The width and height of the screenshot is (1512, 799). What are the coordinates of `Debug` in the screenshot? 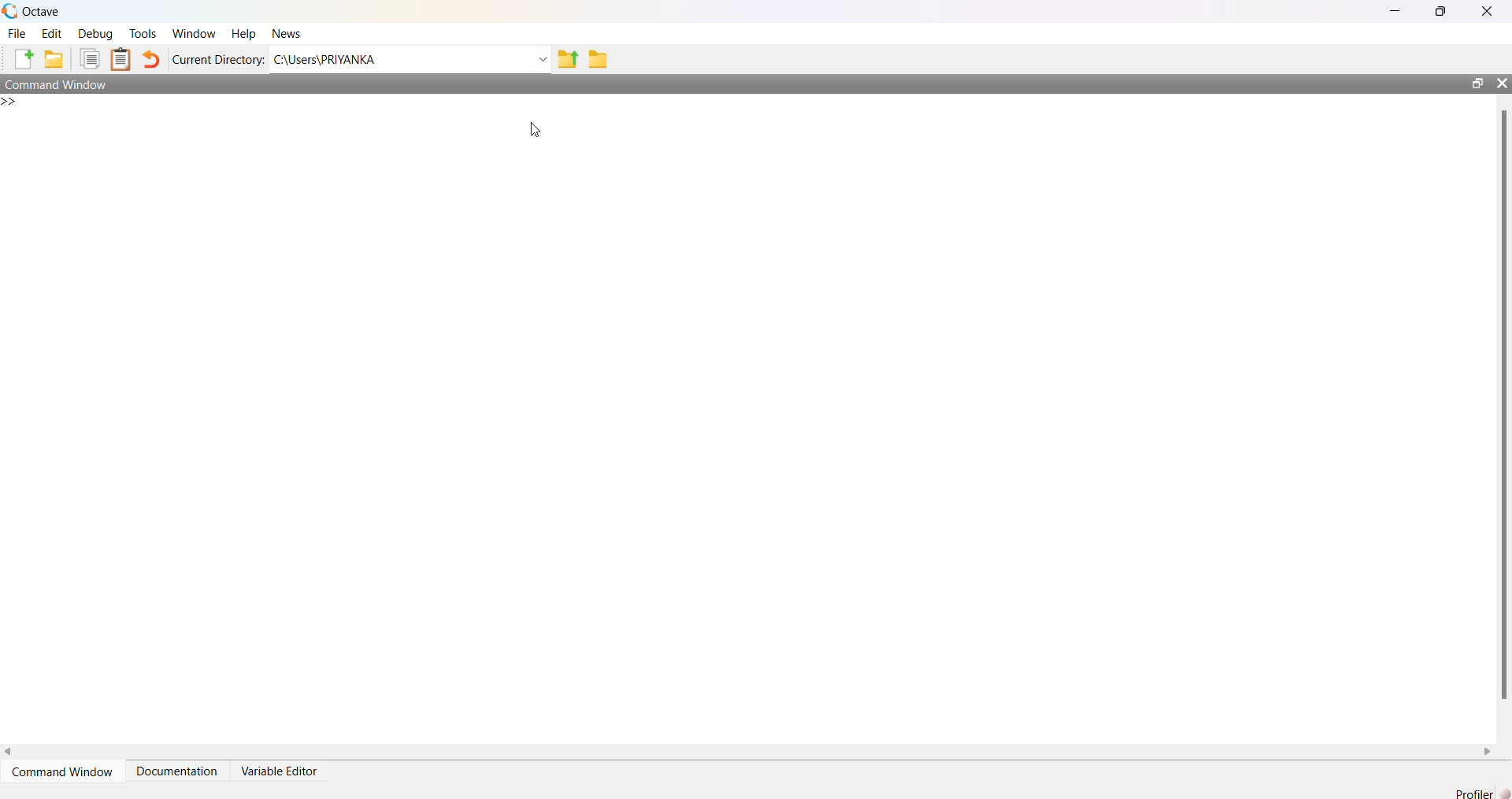 It's located at (96, 32).